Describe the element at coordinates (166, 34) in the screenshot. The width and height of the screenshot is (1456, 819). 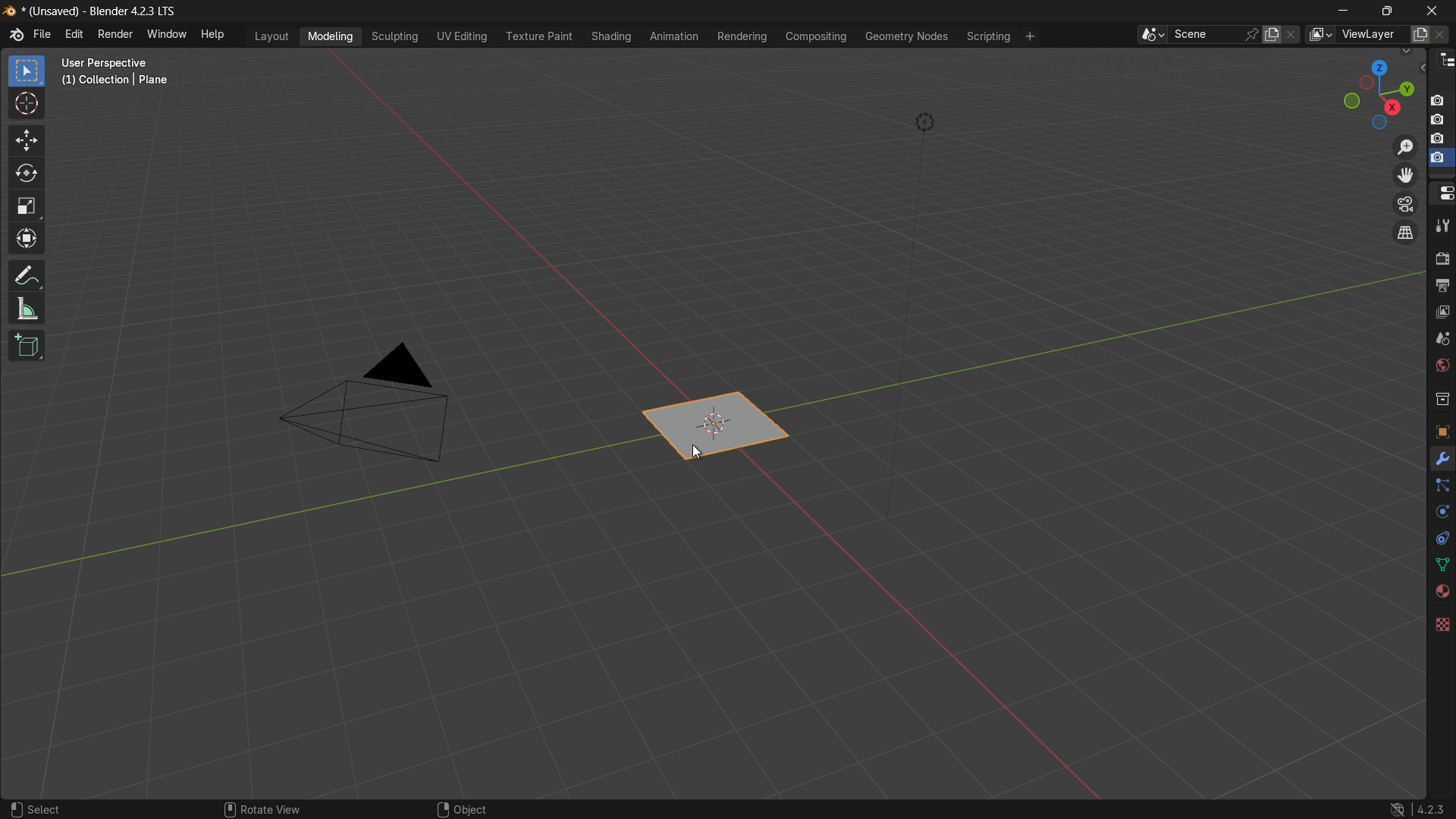
I see `window menu` at that location.